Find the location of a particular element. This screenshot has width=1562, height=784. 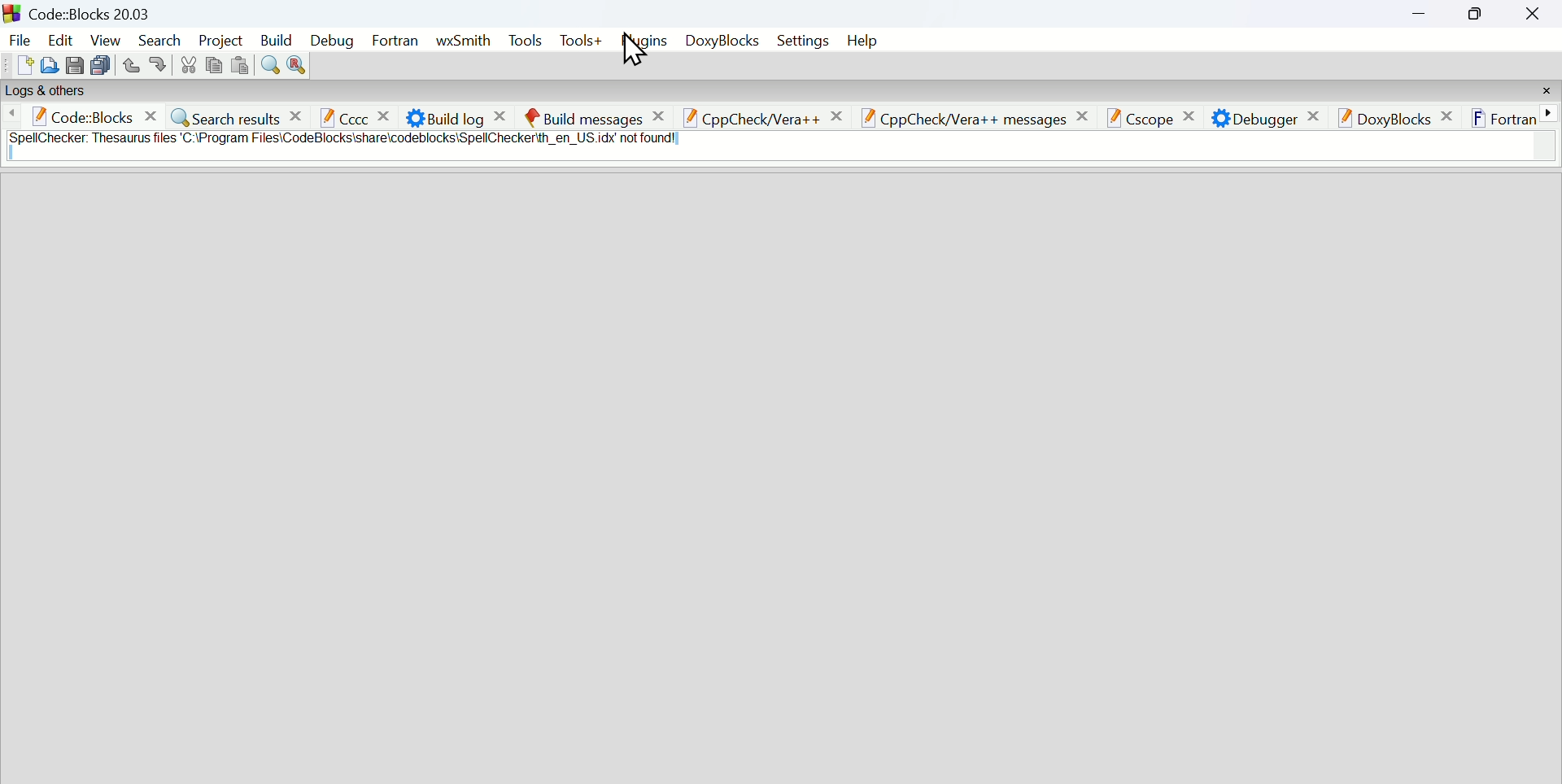

Undo is located at coordinates (132, 64).